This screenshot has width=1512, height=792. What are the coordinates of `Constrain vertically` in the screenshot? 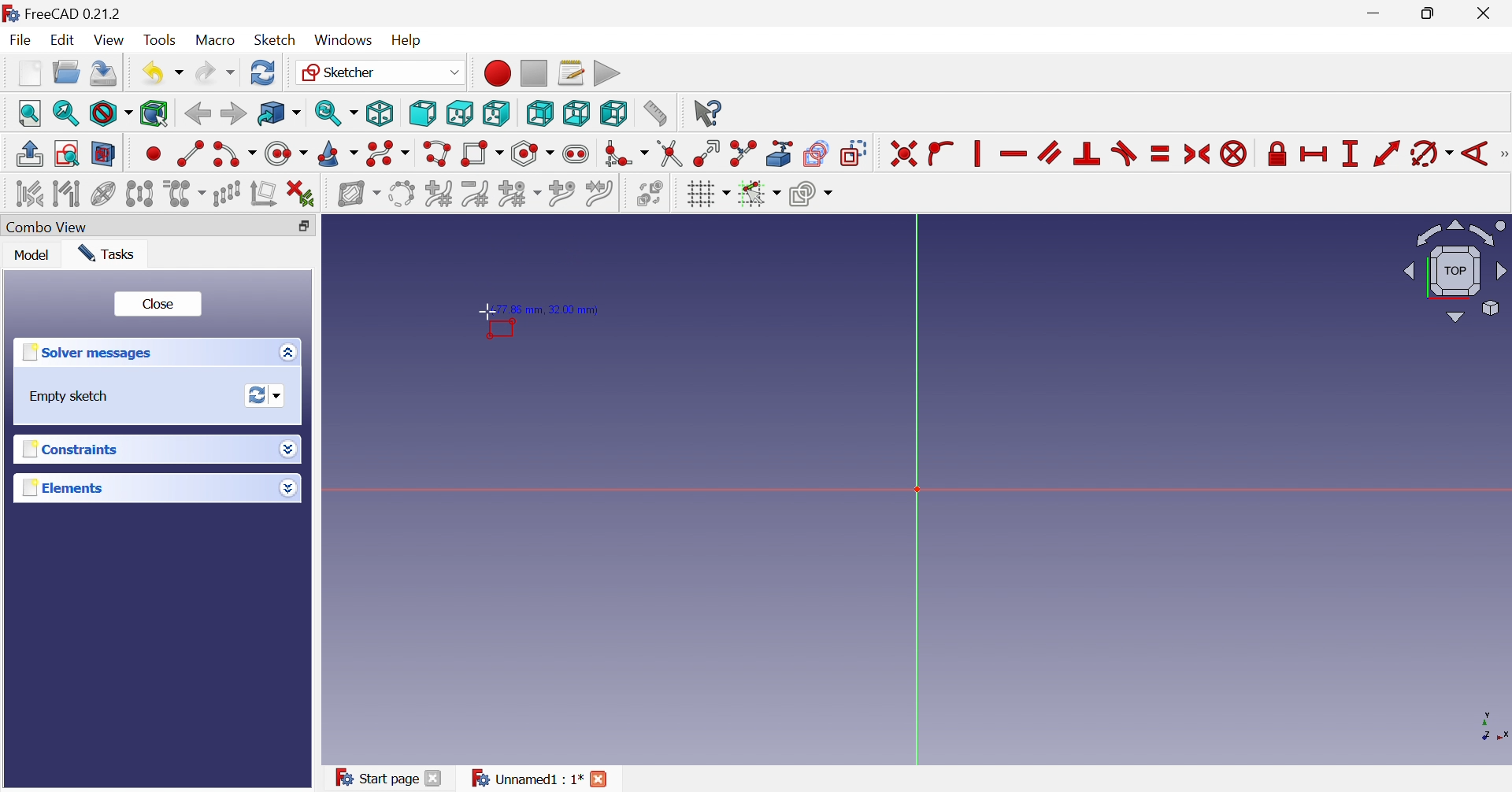 It's located at (975, 154).